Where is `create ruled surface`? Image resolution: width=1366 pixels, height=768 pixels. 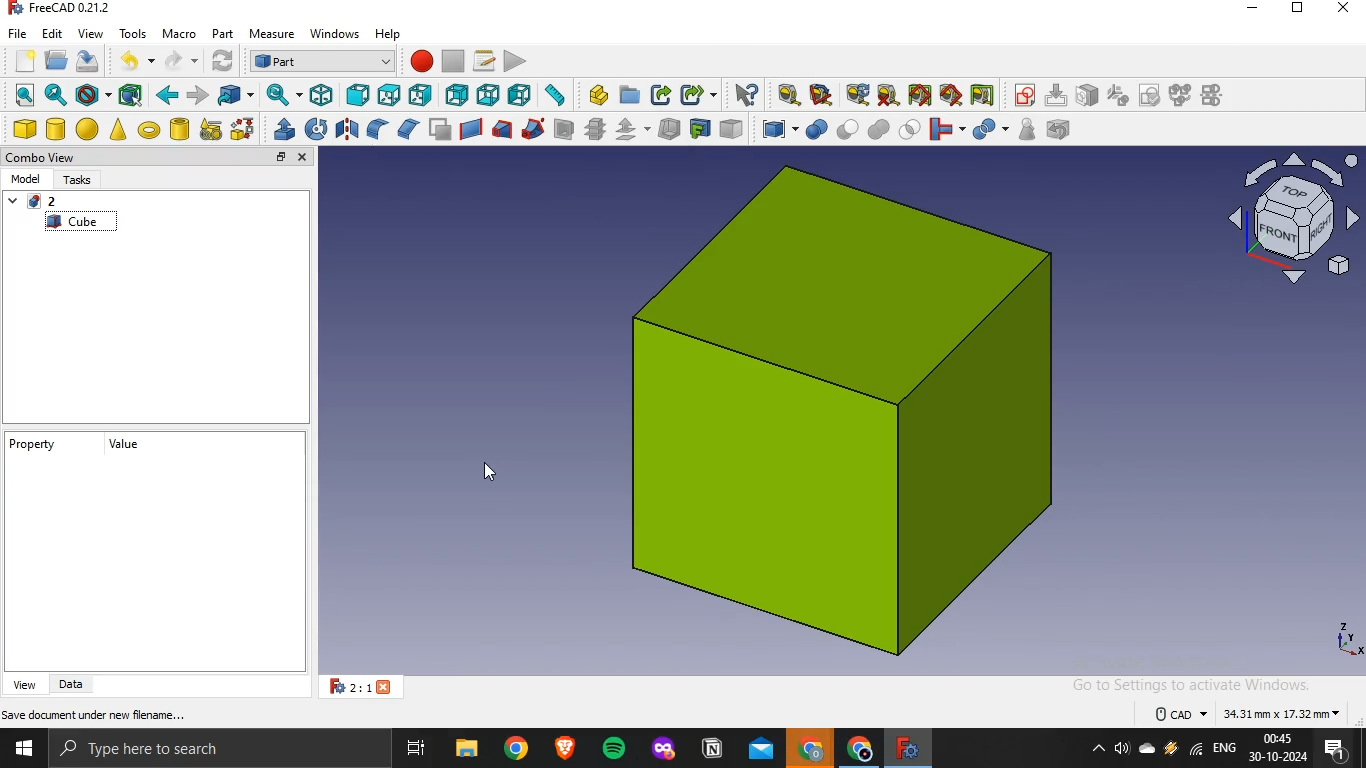
create ruled surface is located at coordinates (471, 129).